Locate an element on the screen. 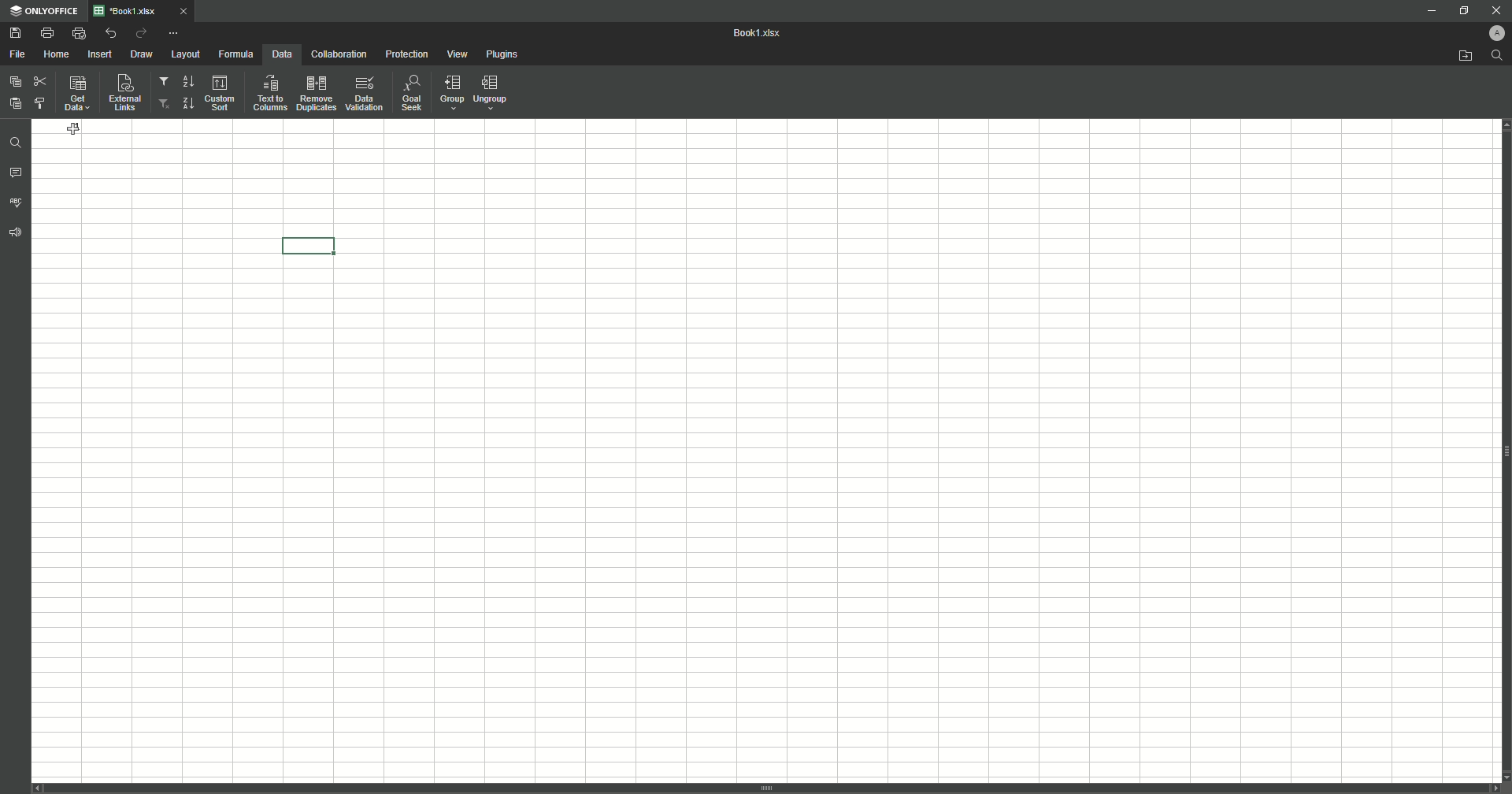 This screenshot has height=794, width=1512. Redo is located at coordinates (140, 34).